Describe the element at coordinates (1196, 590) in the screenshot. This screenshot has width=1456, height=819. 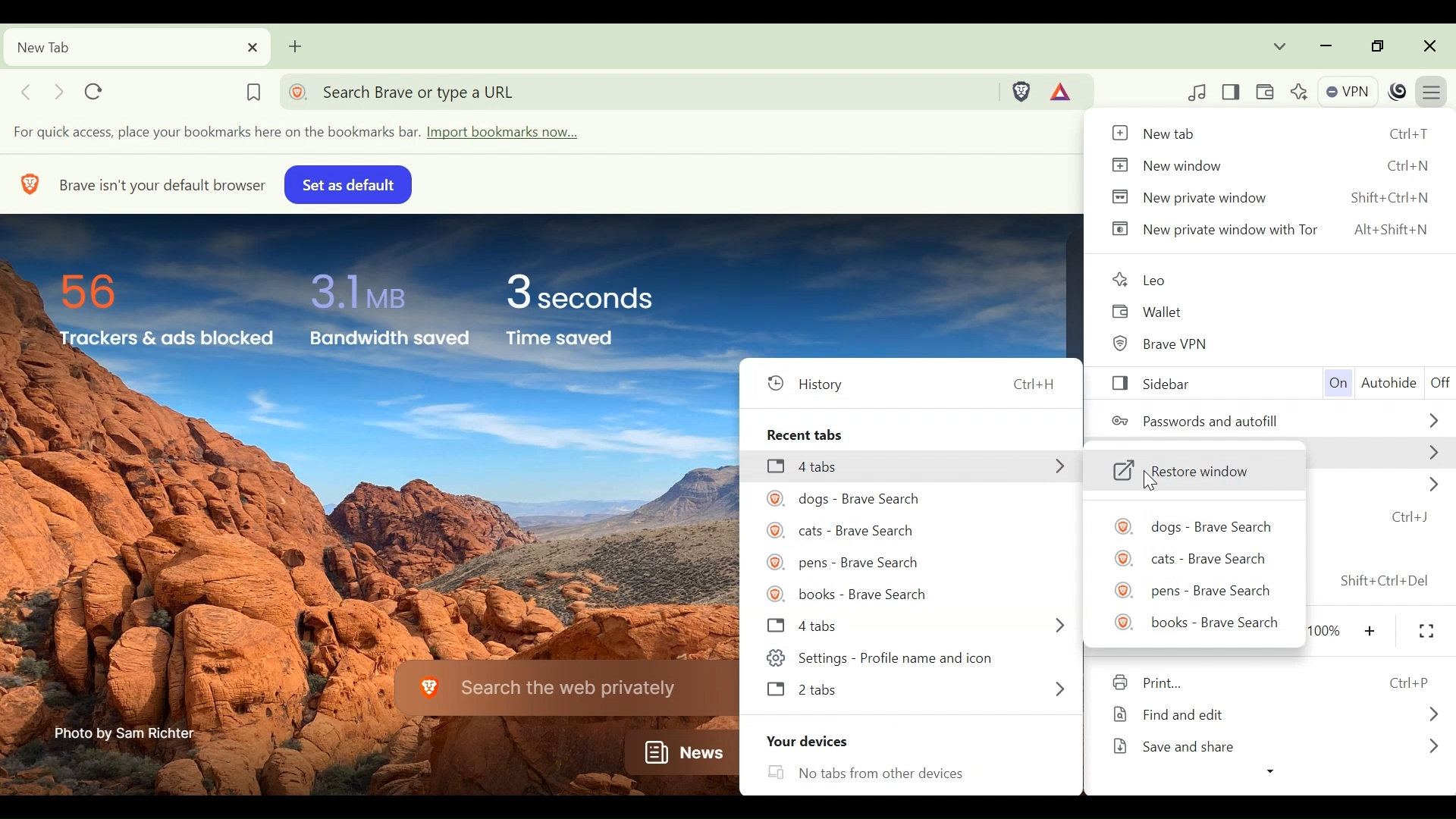
I see ` pens - Brave Search` at that location.